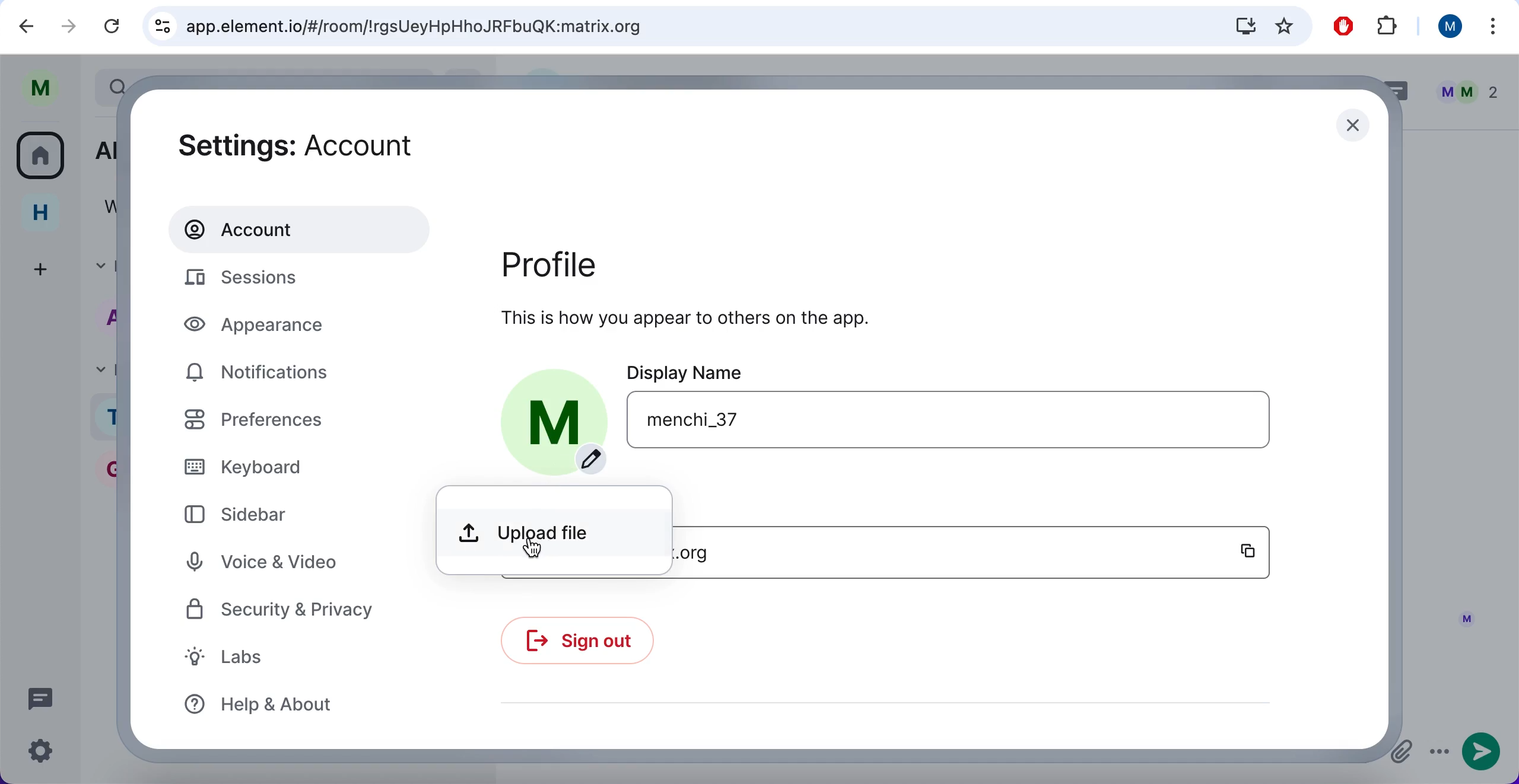 The width and height of the screenshot is (1519, 784). Describe the element at coordinates (1472, 93) in the screenshot. I see `` at that location.